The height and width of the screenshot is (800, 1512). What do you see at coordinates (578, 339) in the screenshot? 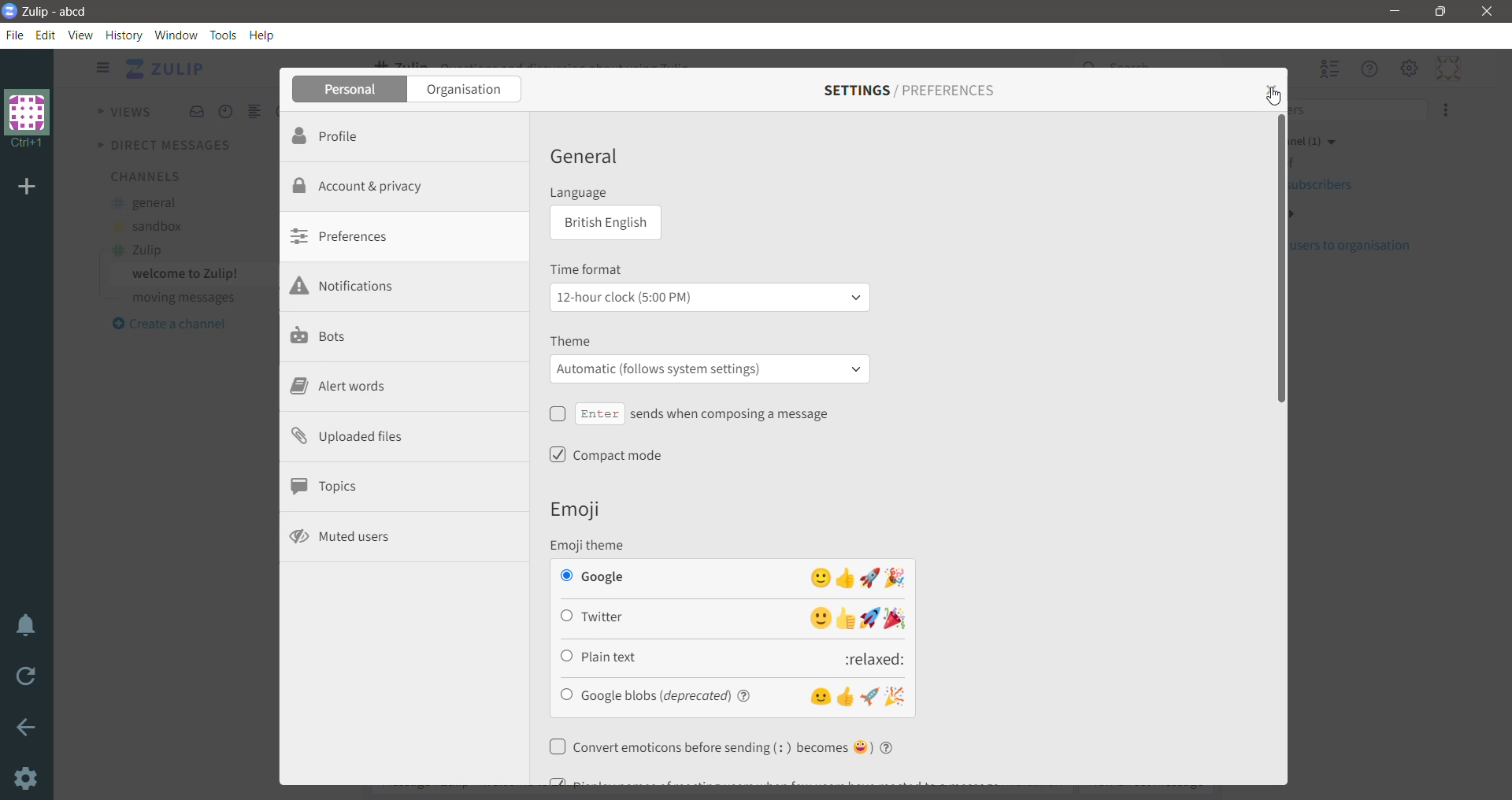
I see `Theme` at bounding box center [578, 339].